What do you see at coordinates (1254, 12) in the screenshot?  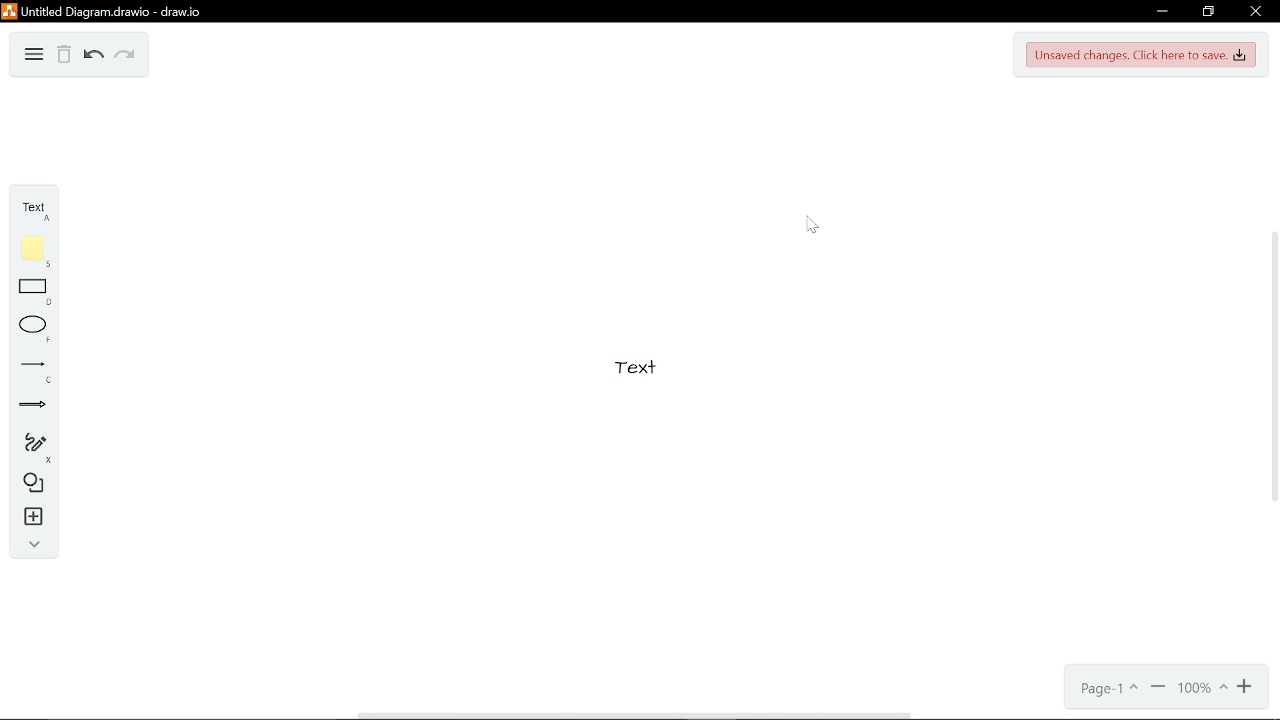 I see `Close` at bounding box center [1254, 12].